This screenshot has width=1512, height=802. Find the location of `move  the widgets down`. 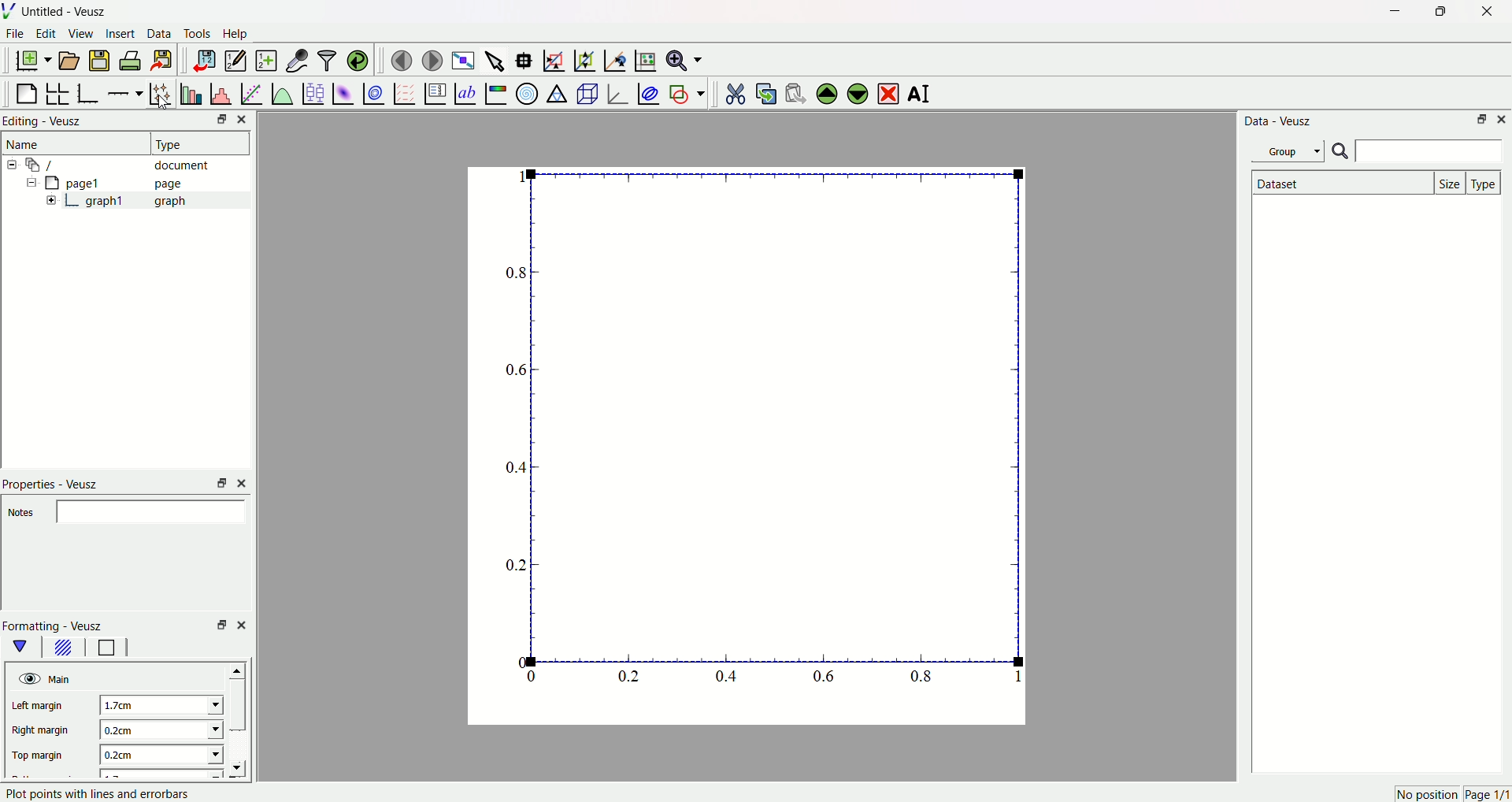

move  the widgets down is located at coordinates (855, 93).